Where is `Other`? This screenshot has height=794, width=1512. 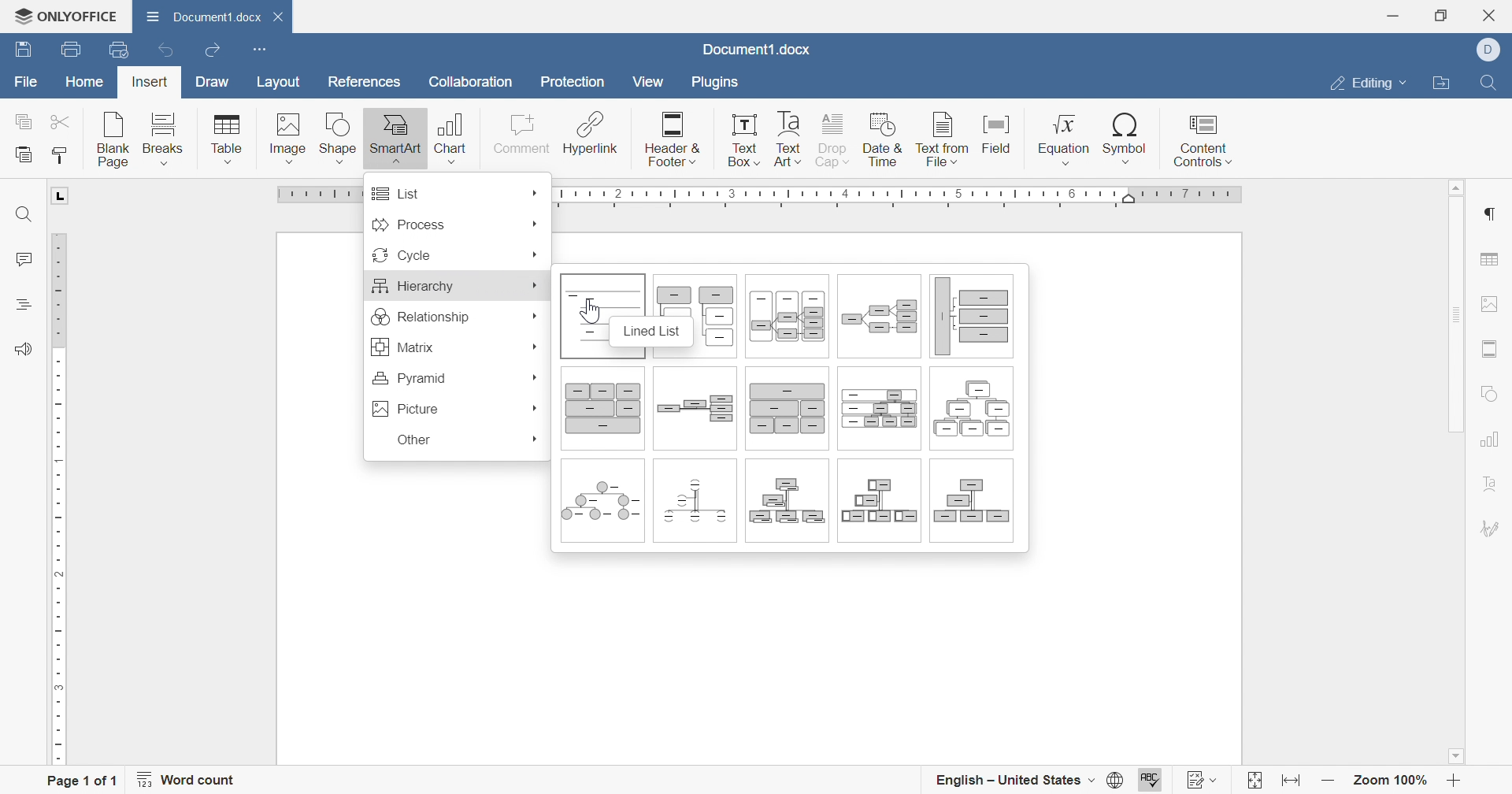 Other is located at coordinates (413, 440).